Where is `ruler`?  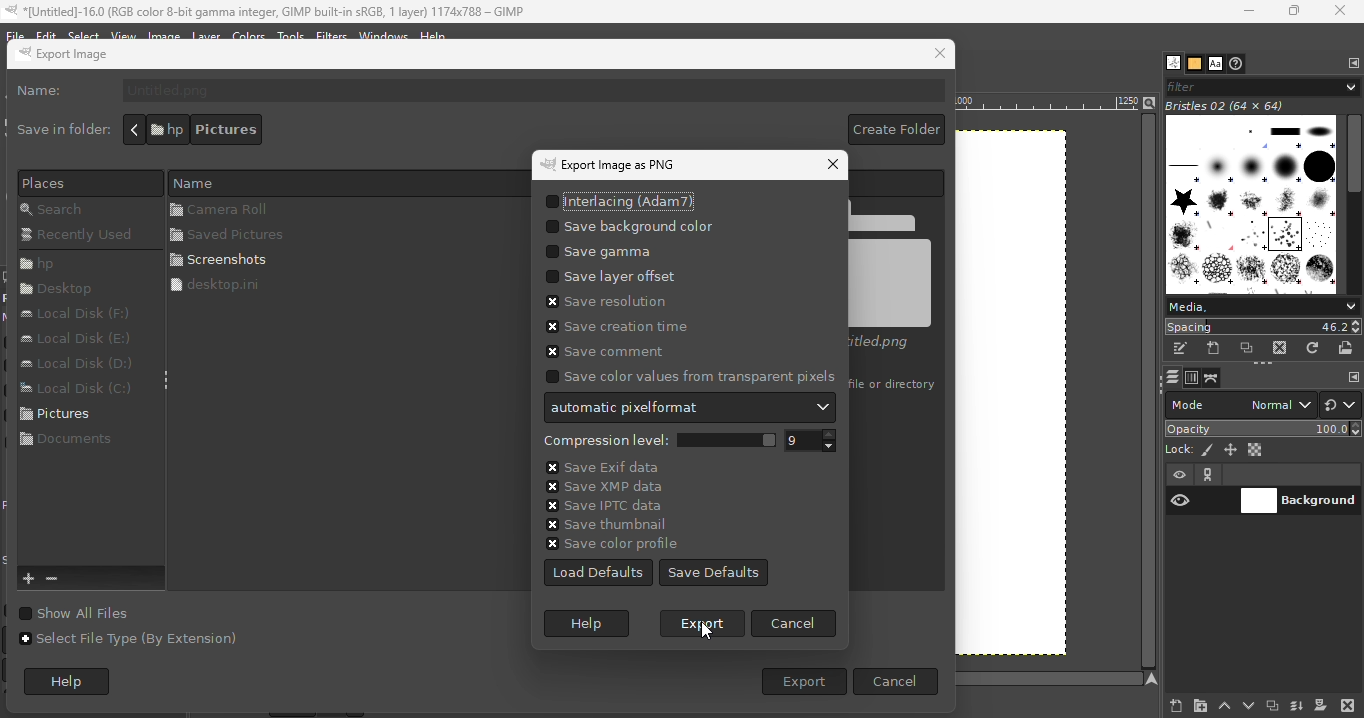
ruler is located at coordinates (1046, 105).